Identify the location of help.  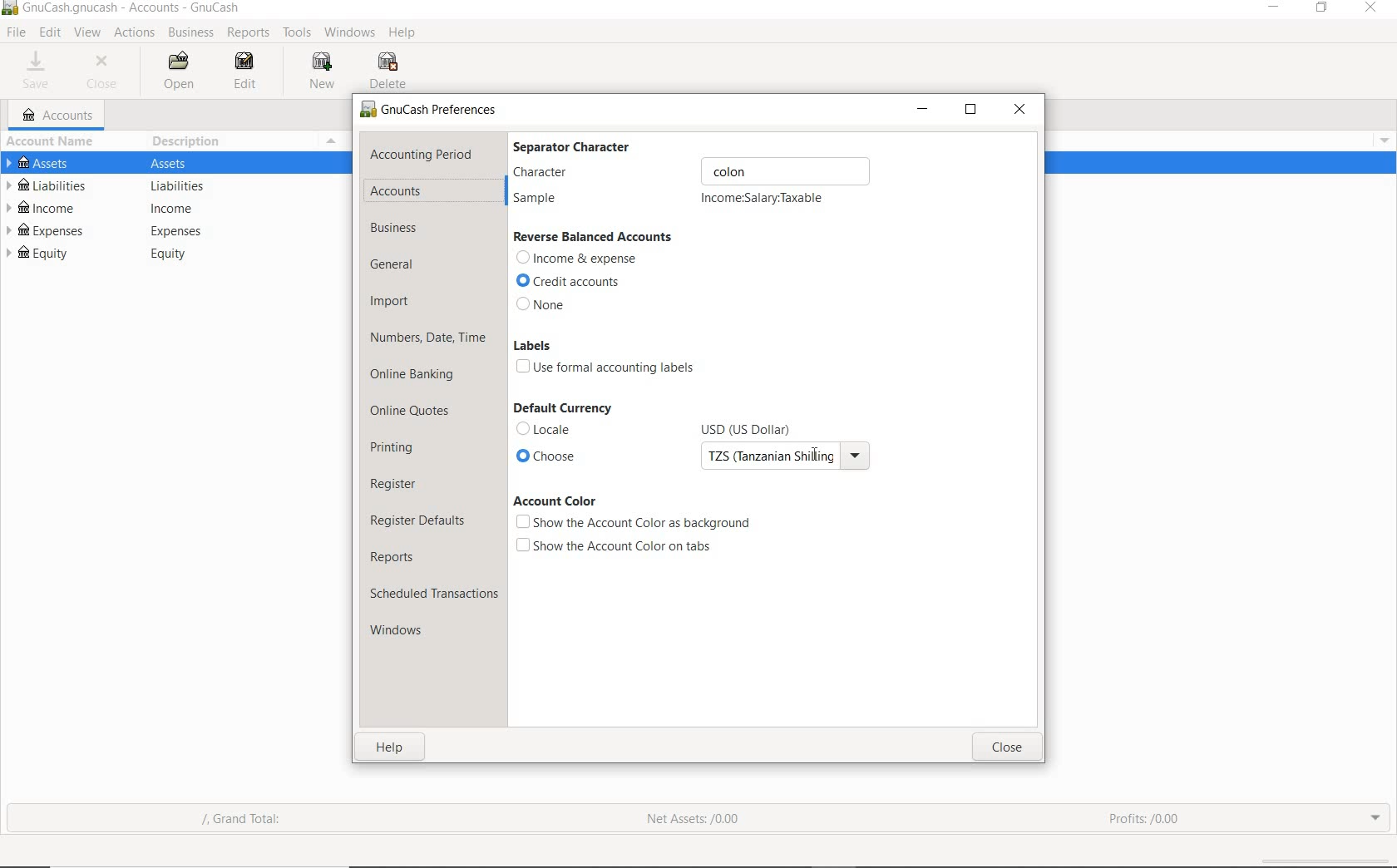
(392, 751).